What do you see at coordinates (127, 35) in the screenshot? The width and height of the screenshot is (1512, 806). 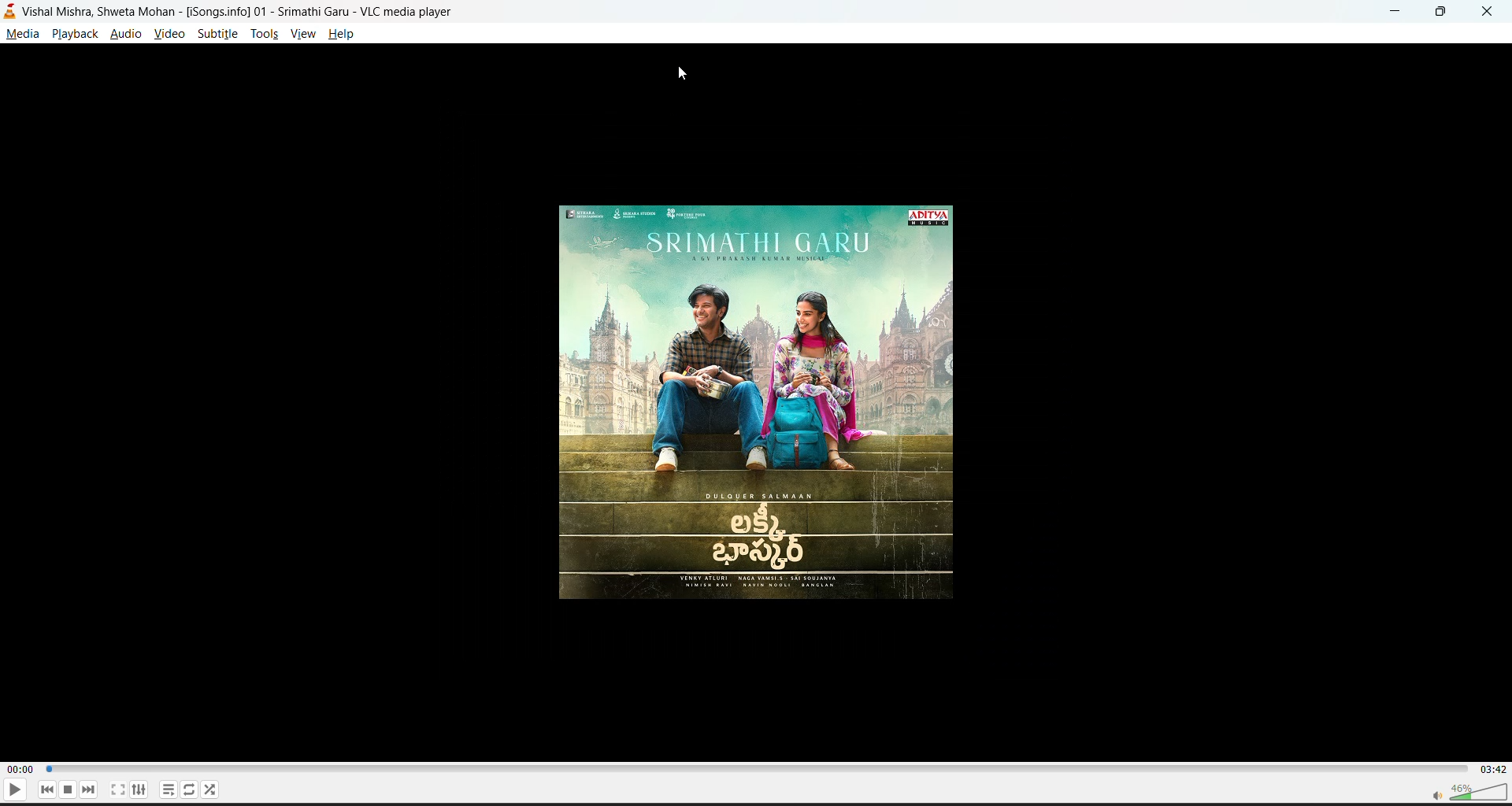 I see `audio` at bounding box center [127, 35].